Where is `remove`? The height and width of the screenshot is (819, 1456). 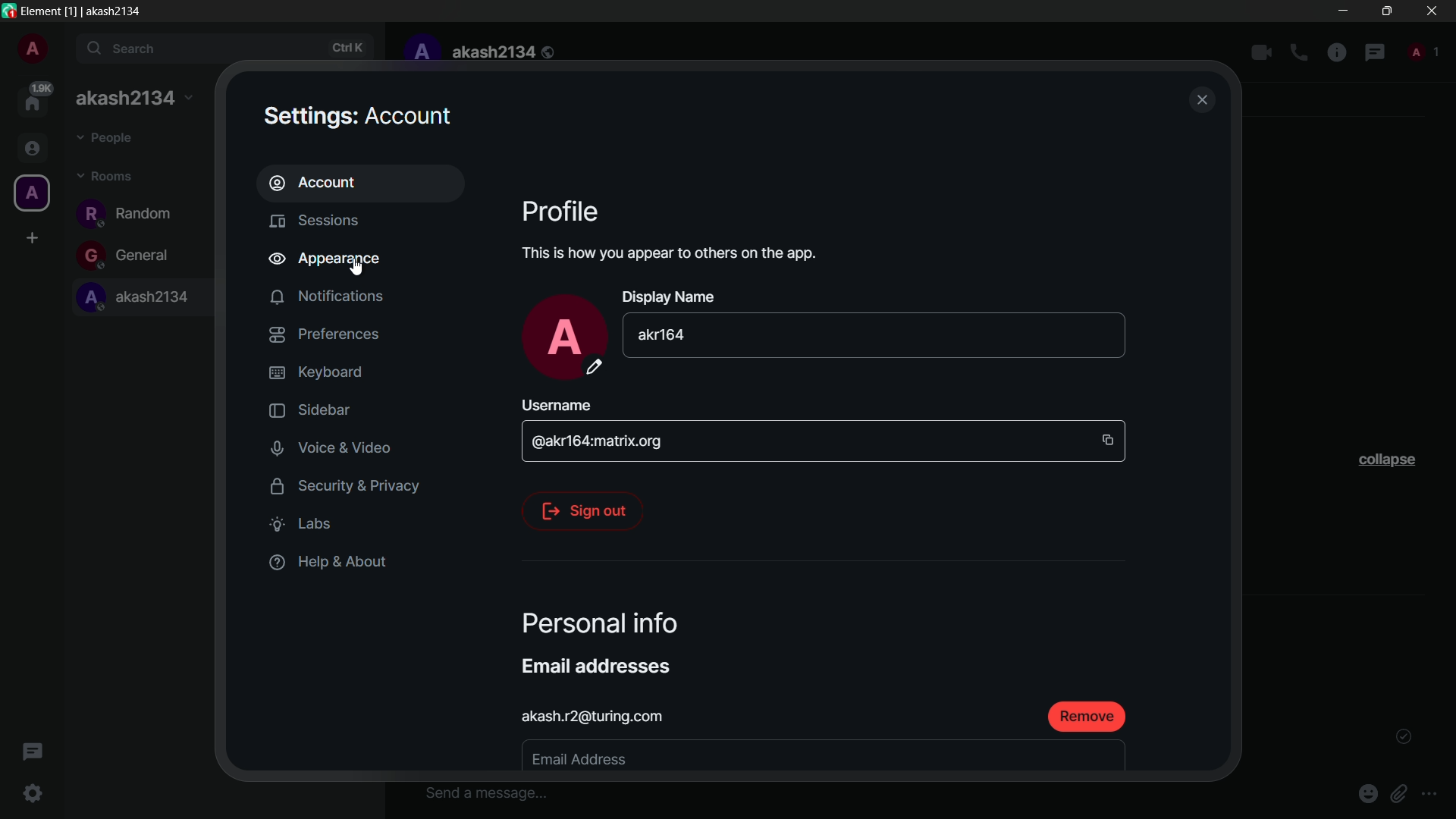 remove is located at coordinates (1090, 716).